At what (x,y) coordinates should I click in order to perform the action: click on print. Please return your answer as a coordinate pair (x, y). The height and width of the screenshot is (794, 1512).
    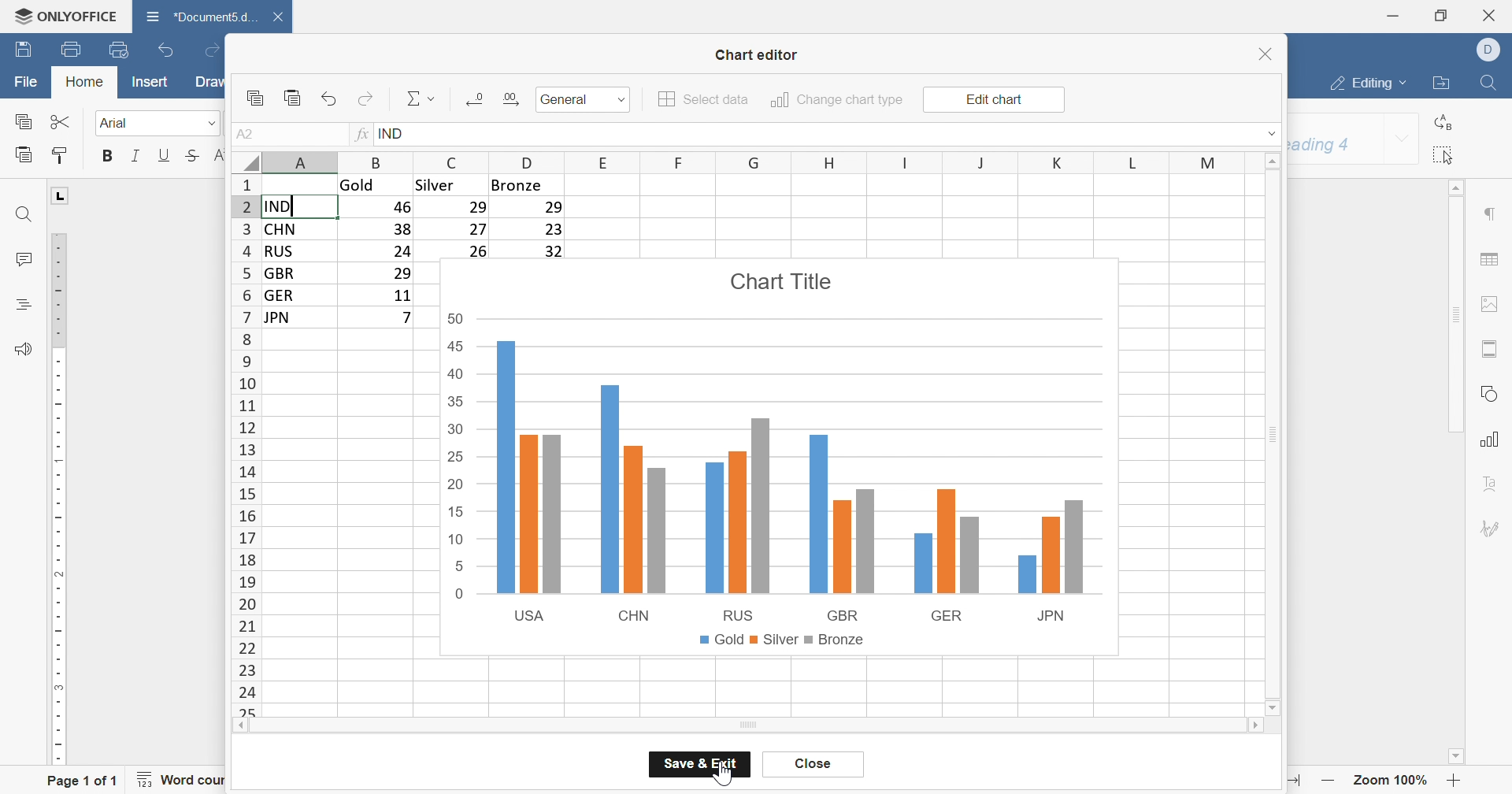
    Looking at the image, I should click on (73, 50).